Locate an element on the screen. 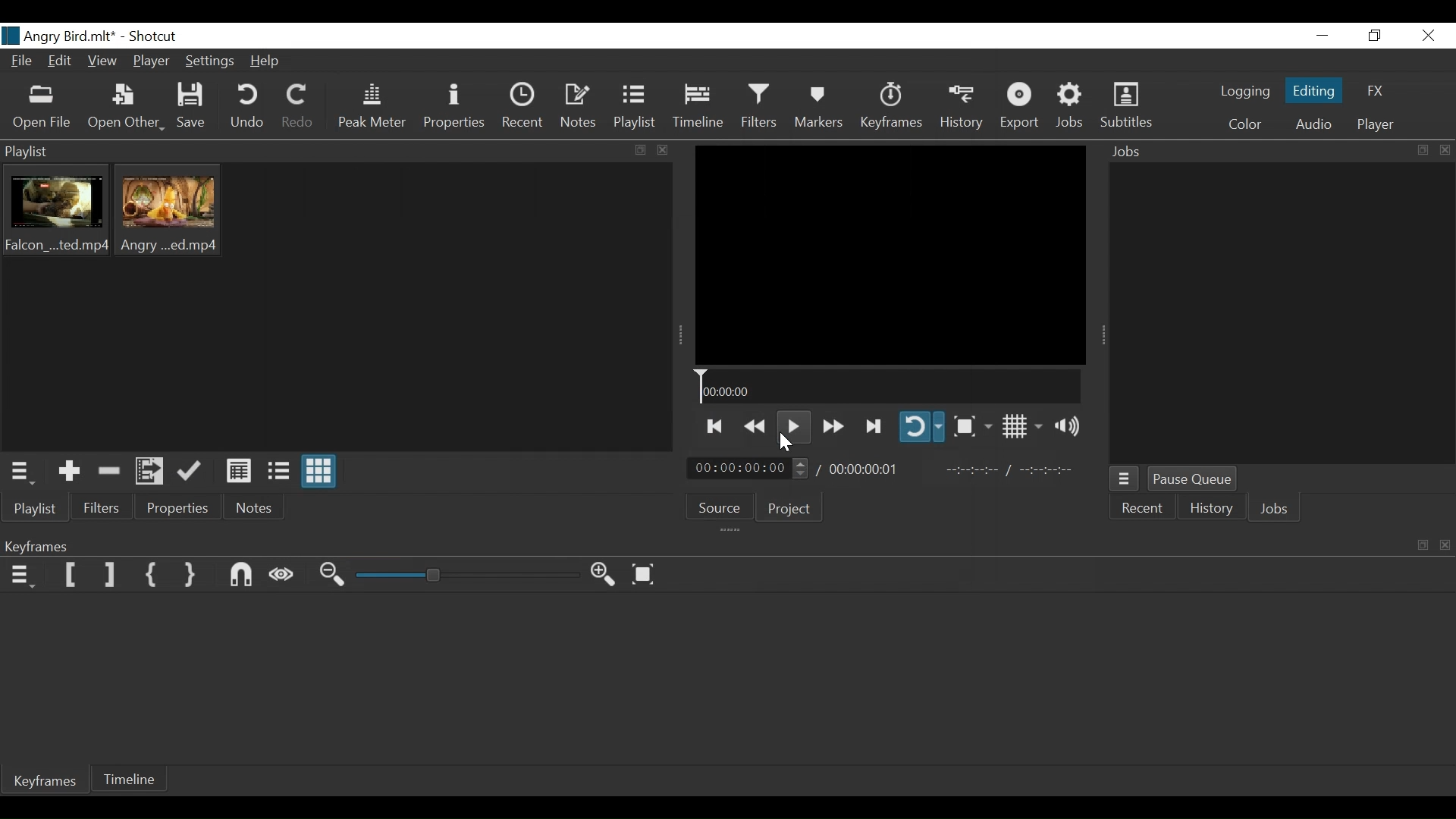 The width and height of the screenshot is (1456, 819). History is located at coordinates (1211, 507).